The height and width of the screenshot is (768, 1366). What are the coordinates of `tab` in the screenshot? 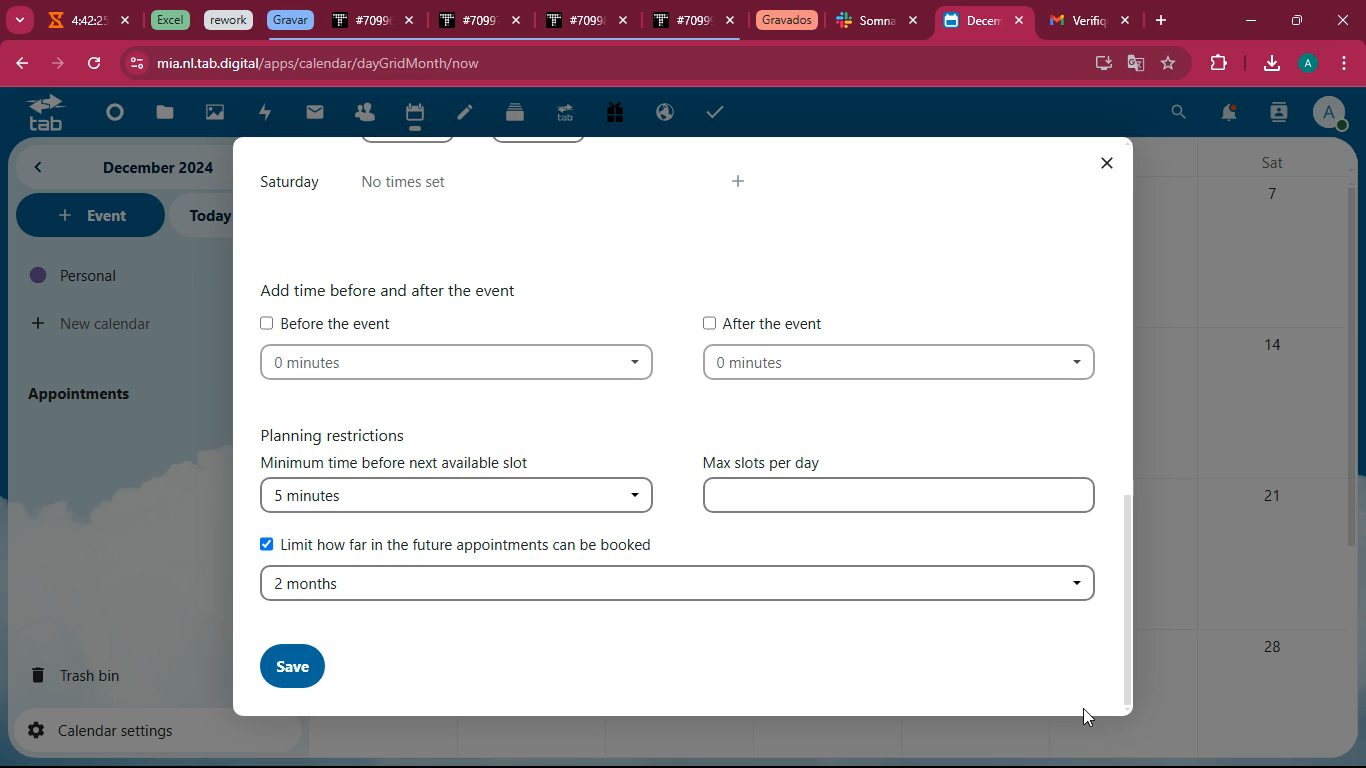 It's located at (360, 24).